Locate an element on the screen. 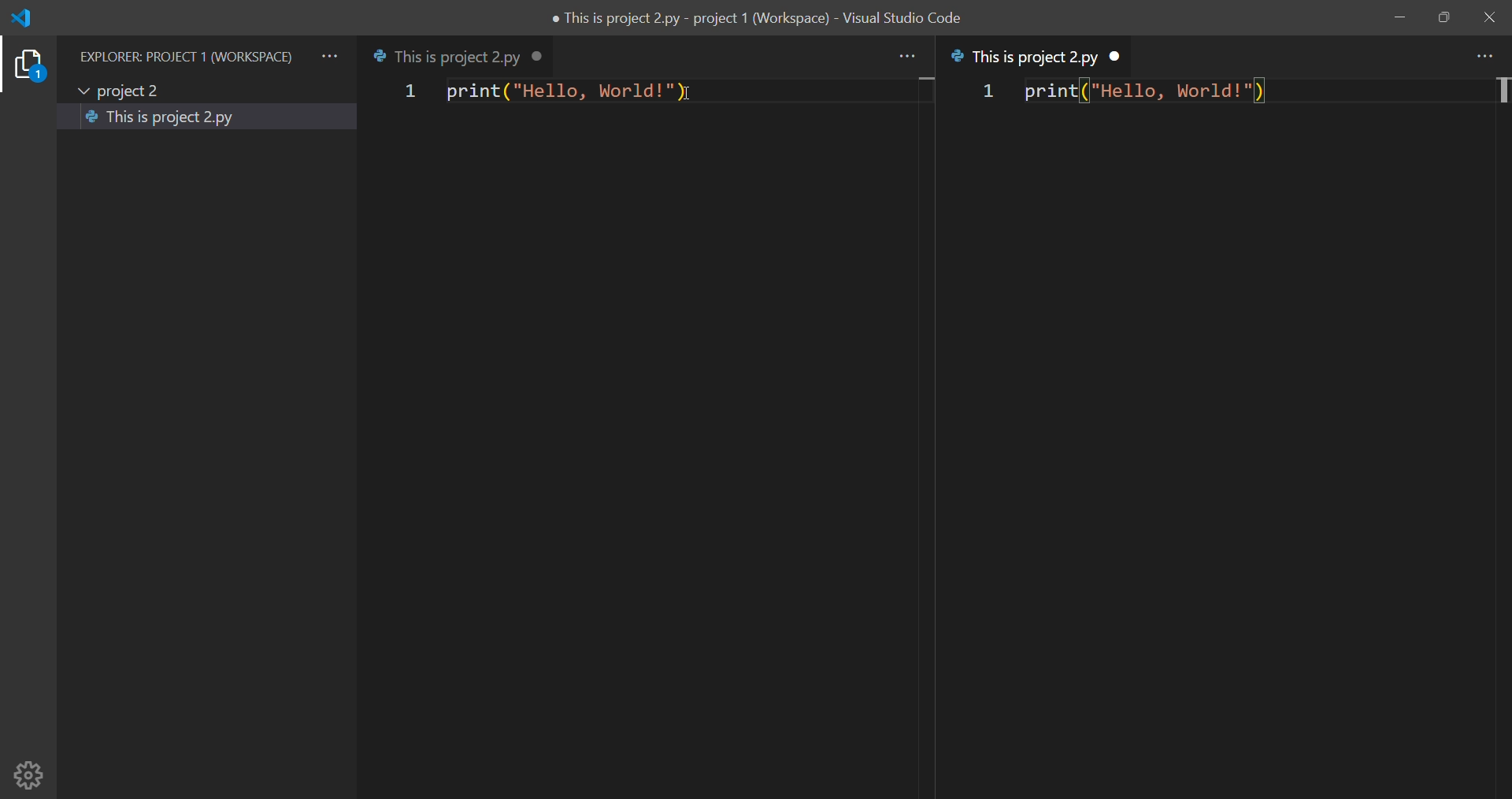  settings is located at coordinates (28, 774).